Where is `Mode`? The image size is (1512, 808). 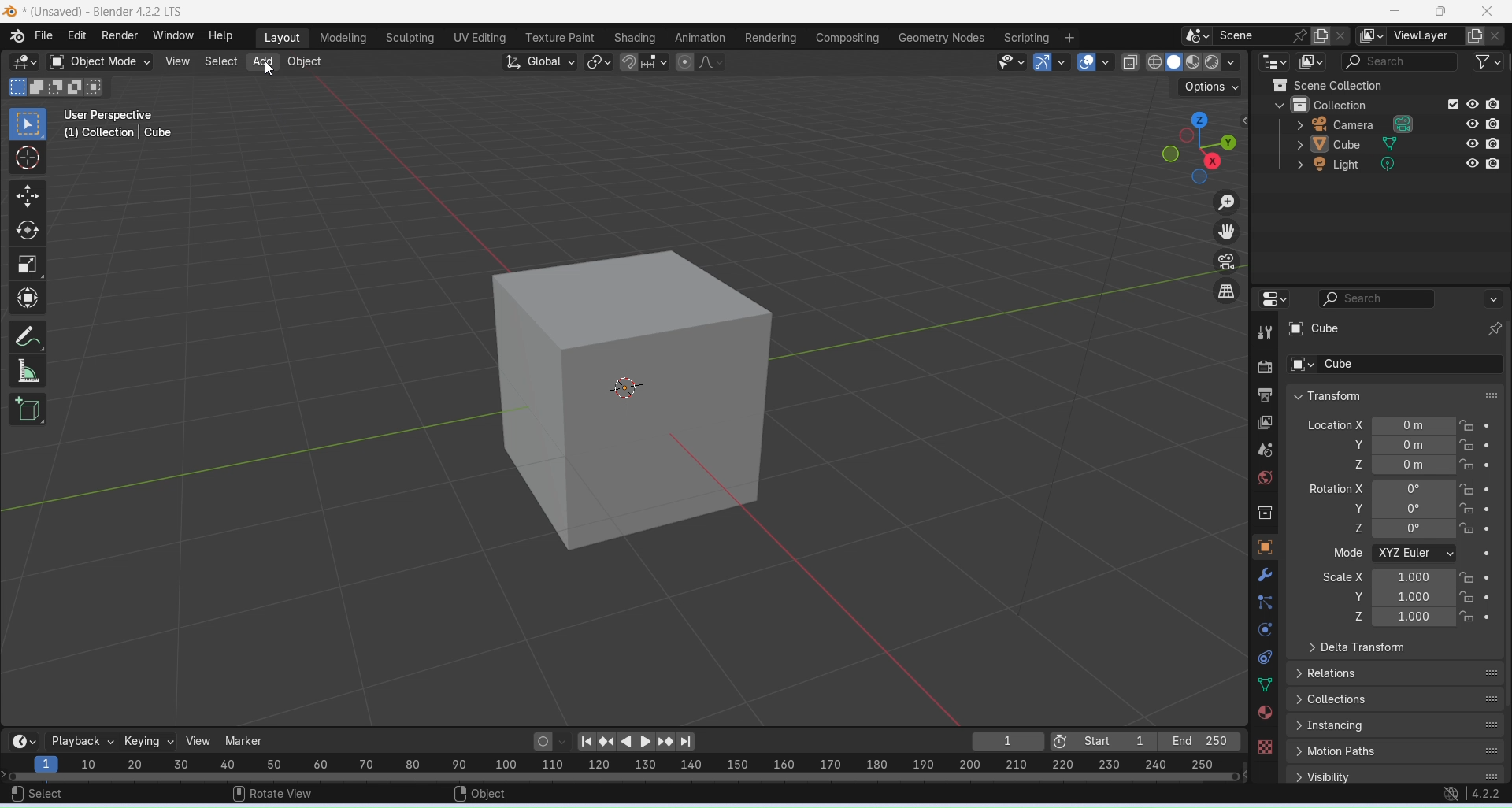
Mode is located at coordinates (1435, 554).